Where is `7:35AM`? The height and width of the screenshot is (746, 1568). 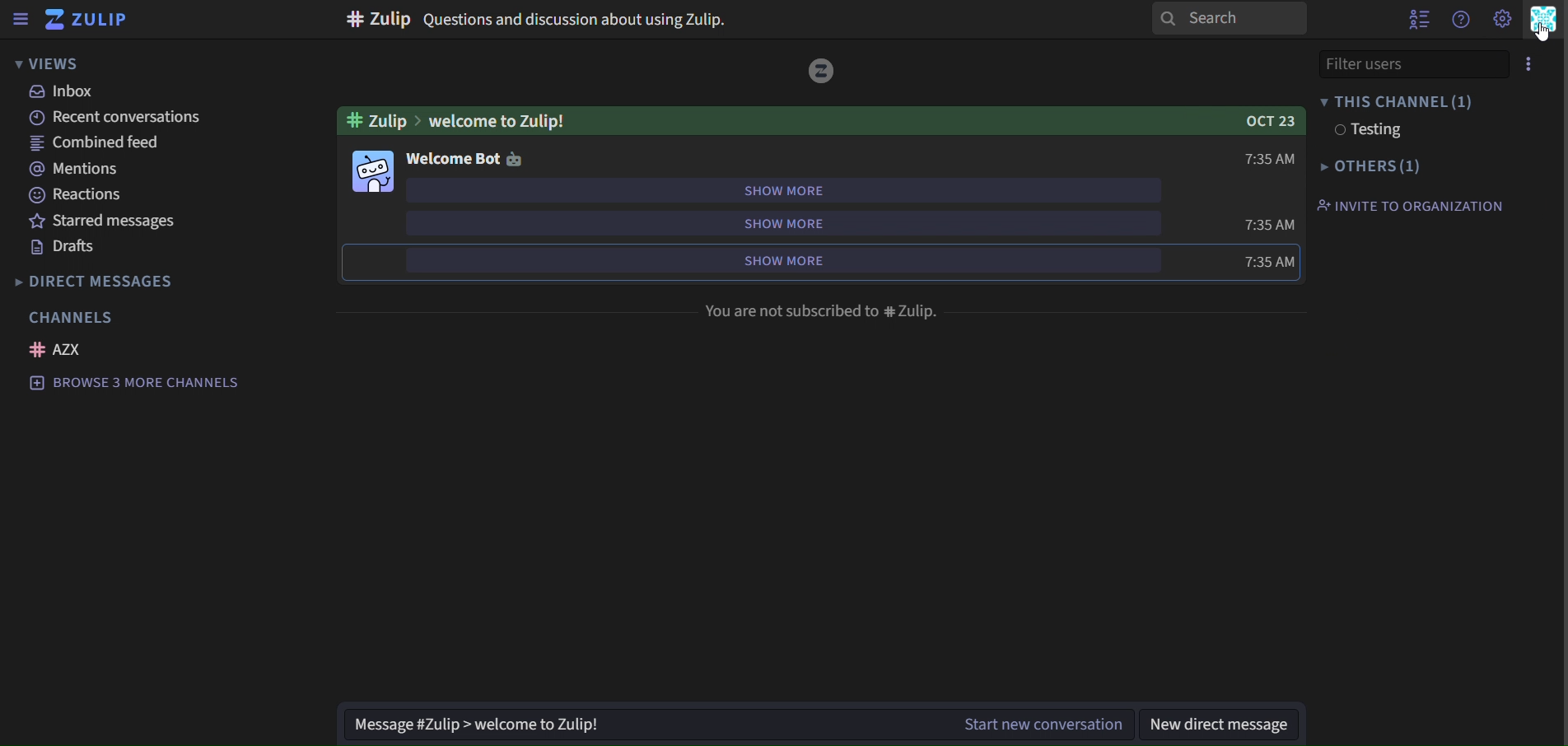
7:35AM is located at coordinates (1266, 158).